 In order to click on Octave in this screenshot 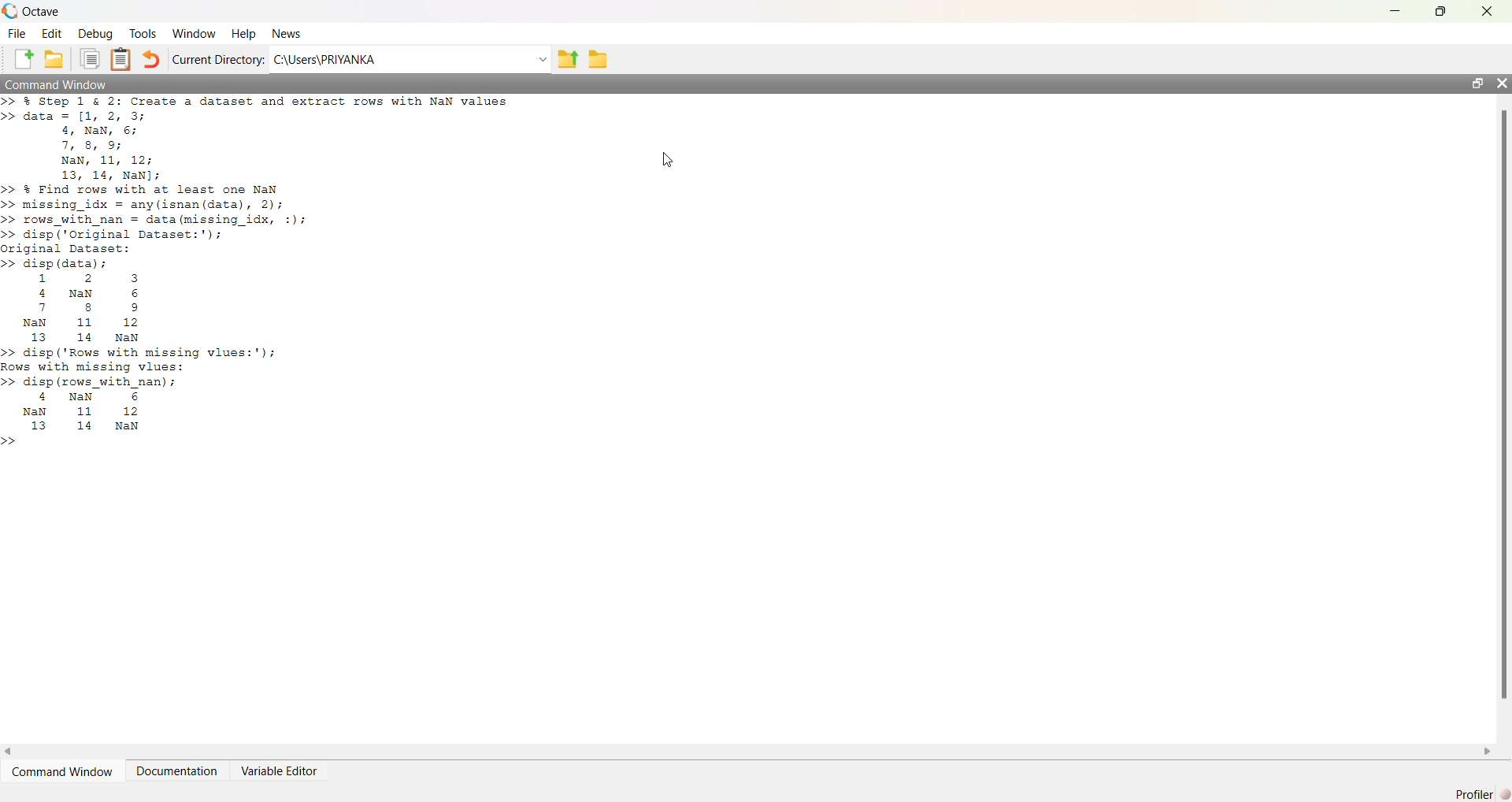, I will do `click(41, 11)`.